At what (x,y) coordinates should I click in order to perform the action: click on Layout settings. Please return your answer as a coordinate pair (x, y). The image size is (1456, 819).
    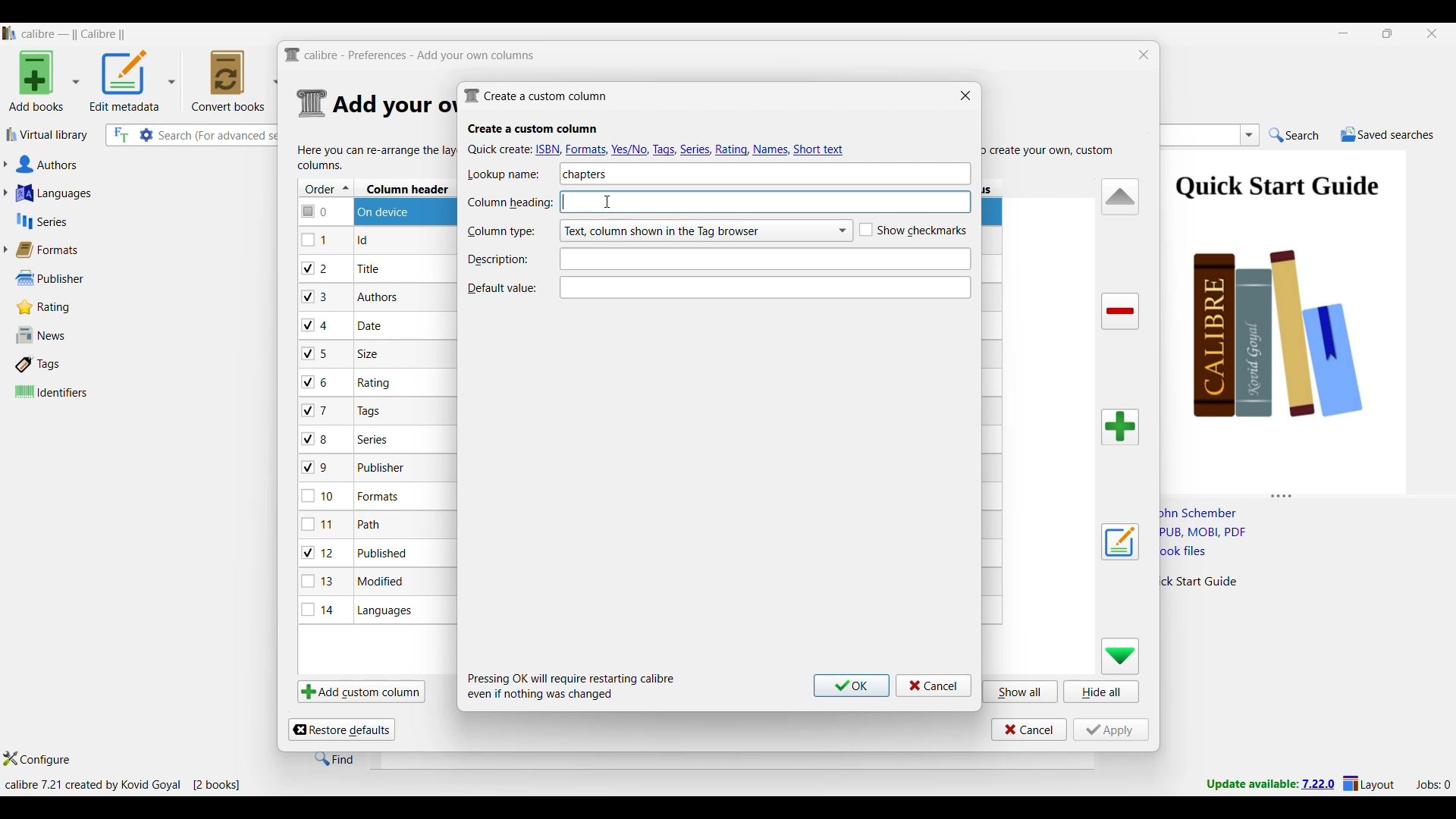
    Looking at the image, I should click on (1369, 783).